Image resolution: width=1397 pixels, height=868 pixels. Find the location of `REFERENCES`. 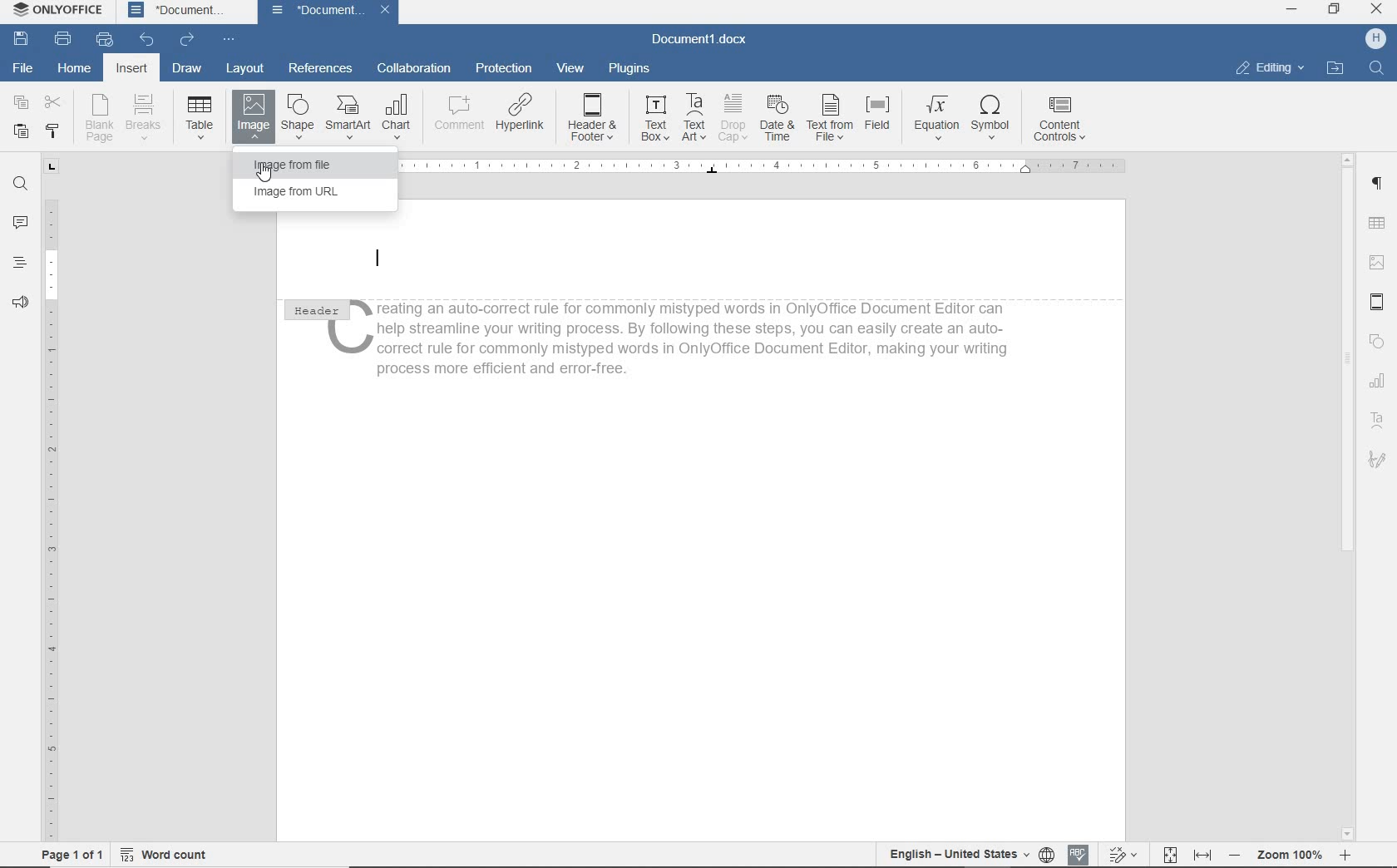

REFERENCES is located at coordinates (323, 70).